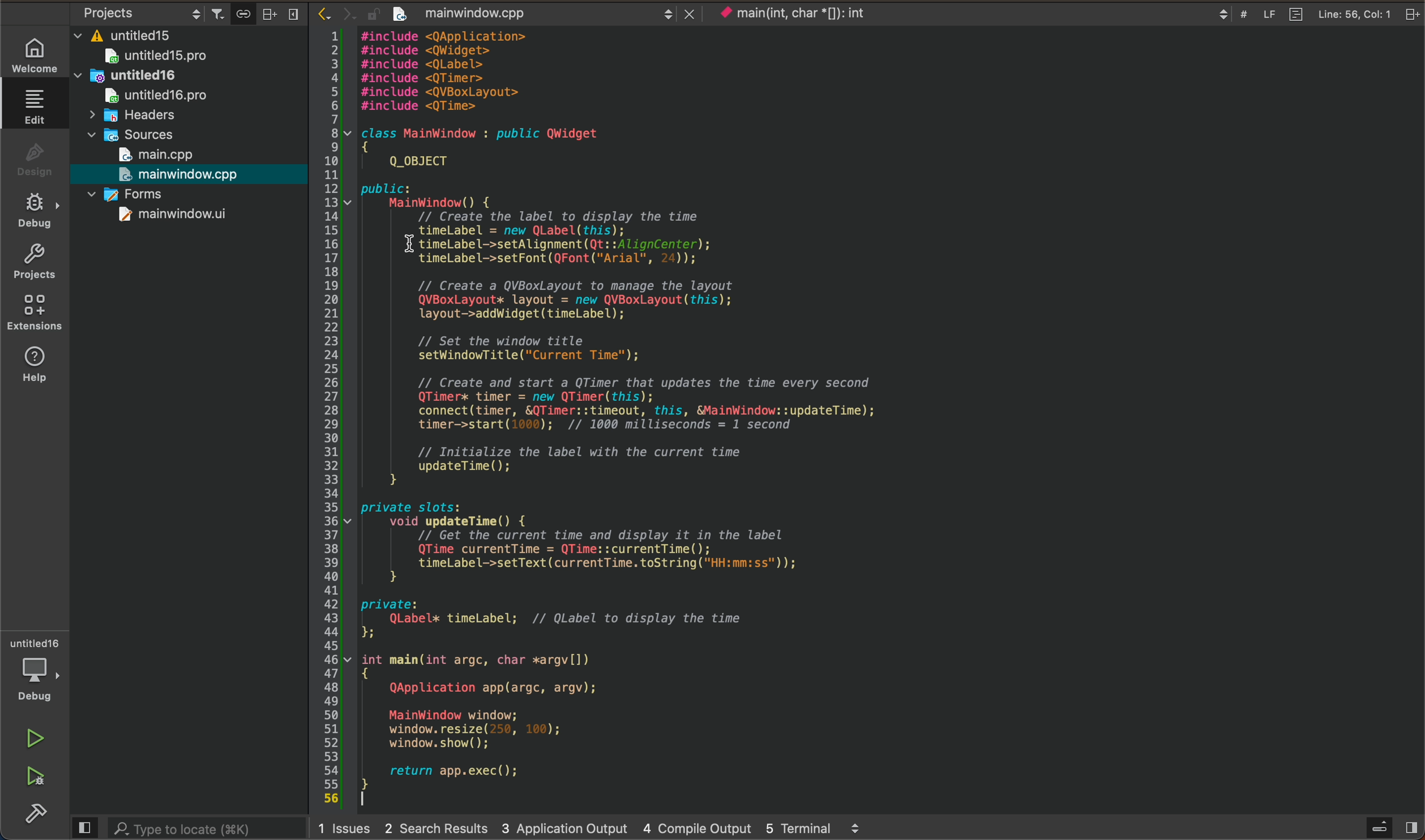 This screenshot has height=840, width=1425. I want to click on untitled15.pro, so click(188, 57).